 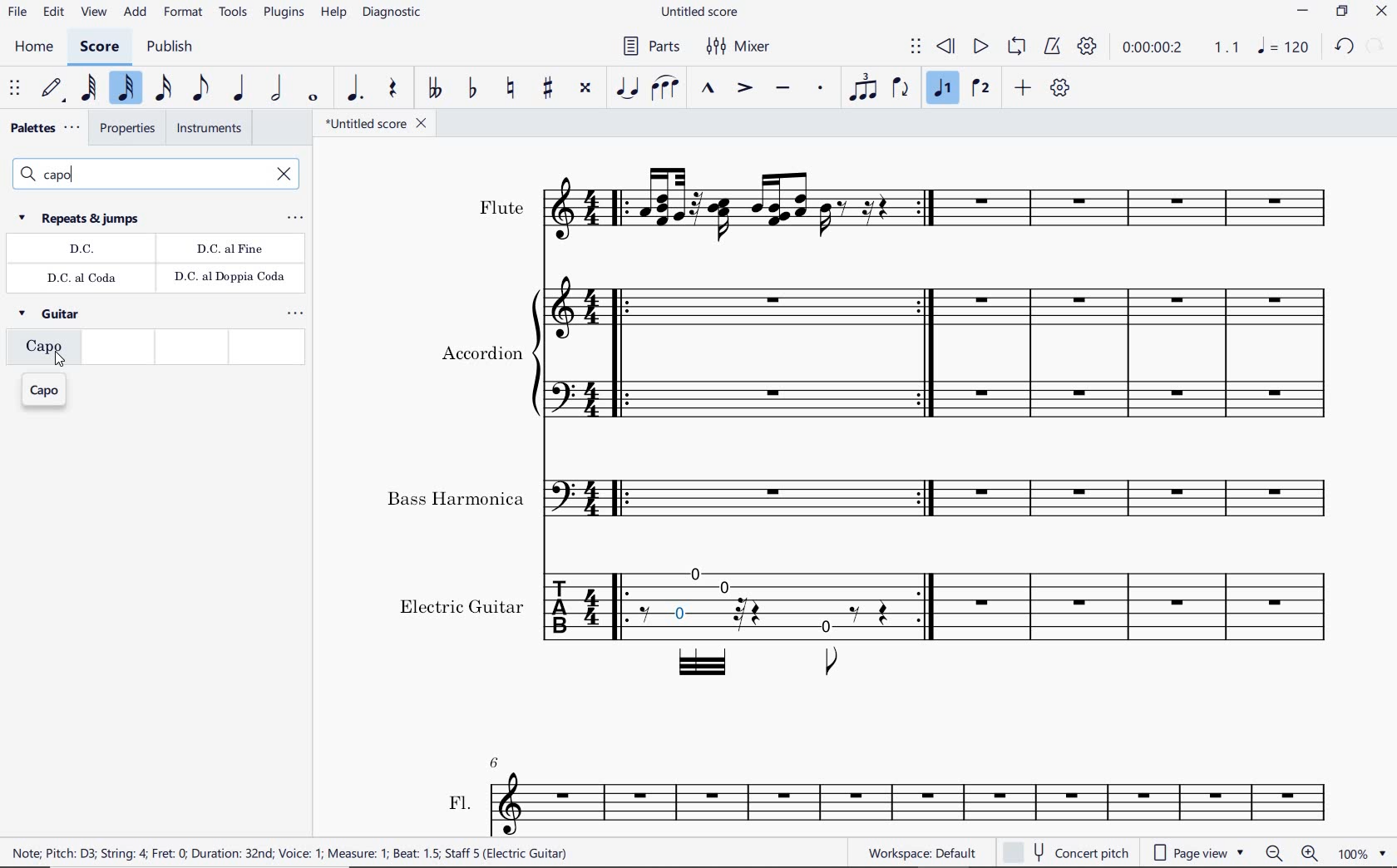 I want to click on capo, so click(x=46, y=391).